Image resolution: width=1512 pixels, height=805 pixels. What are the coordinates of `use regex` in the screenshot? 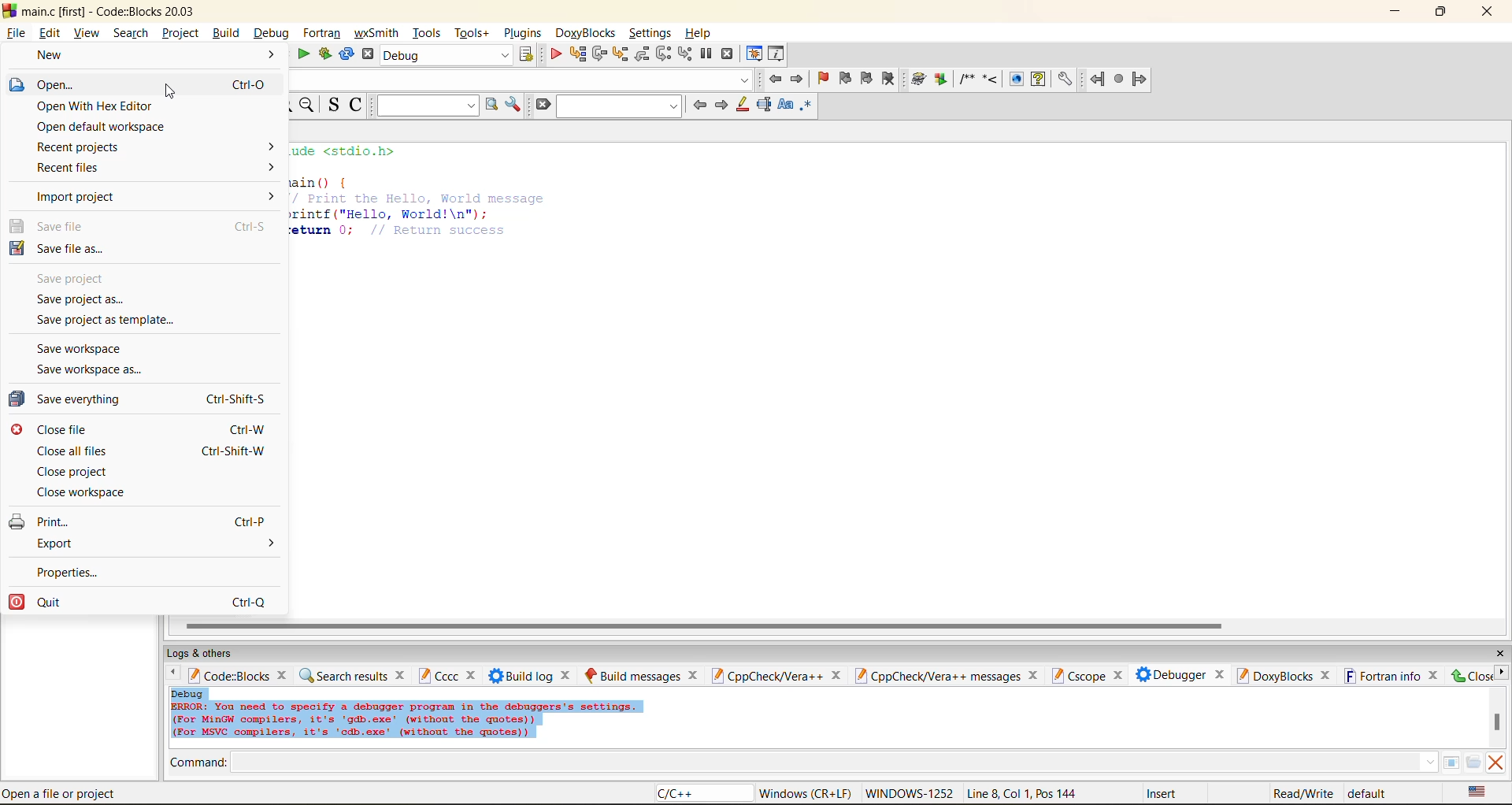 It's located at (806, 108).